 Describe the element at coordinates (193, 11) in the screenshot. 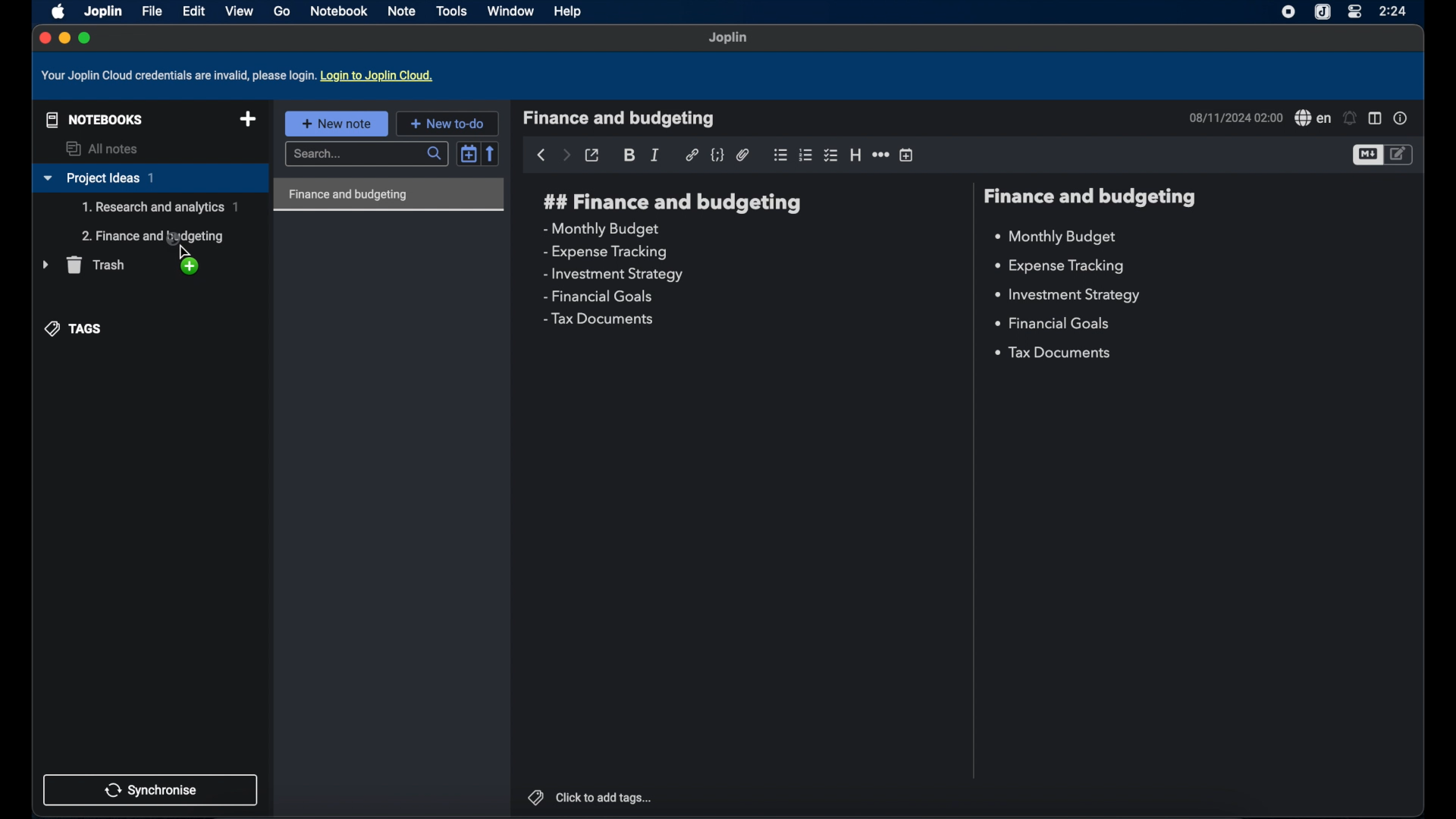

I see `edit` at that location.